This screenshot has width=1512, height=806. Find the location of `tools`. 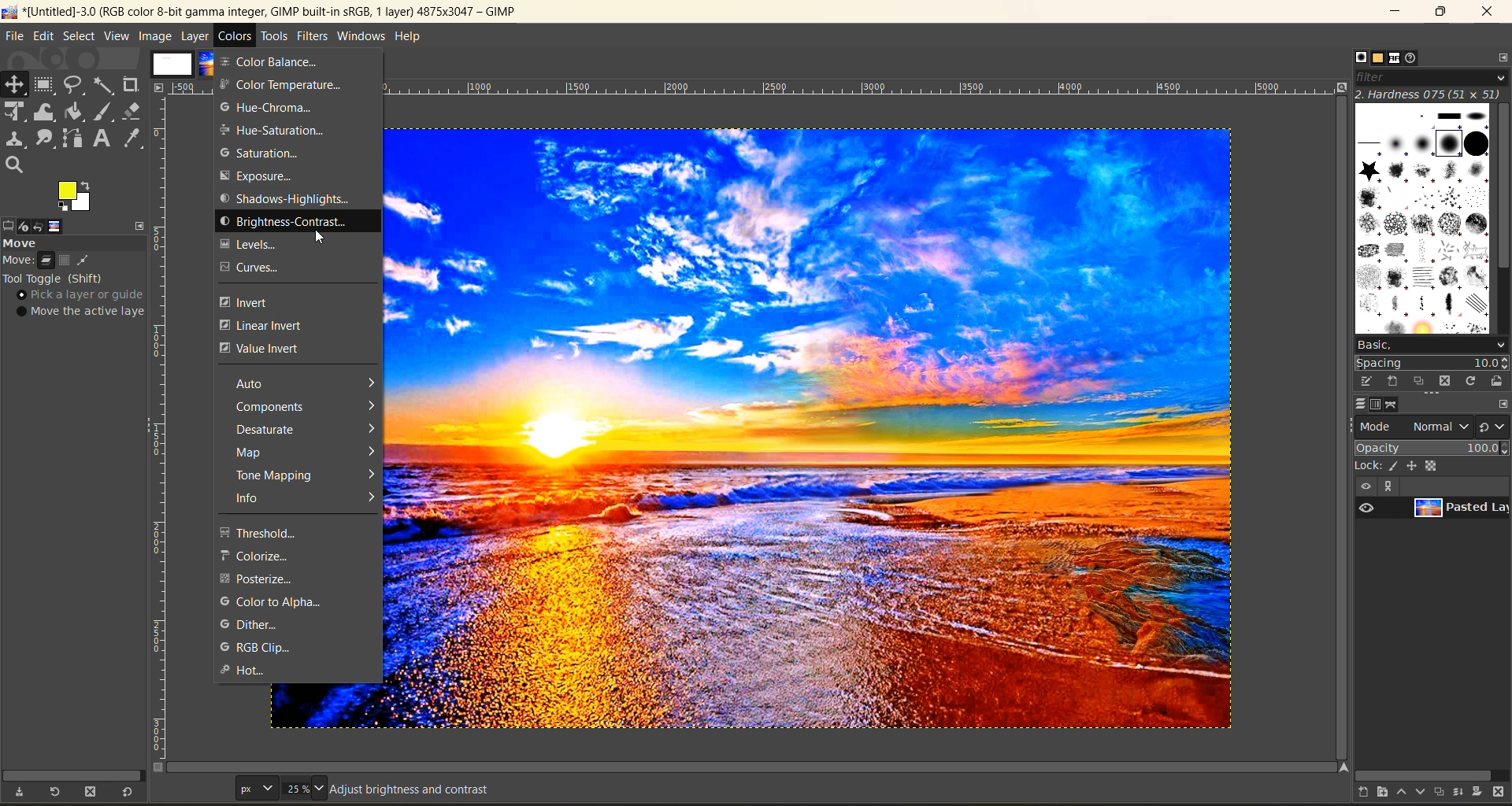

tools is located at coordinates (79, 127).